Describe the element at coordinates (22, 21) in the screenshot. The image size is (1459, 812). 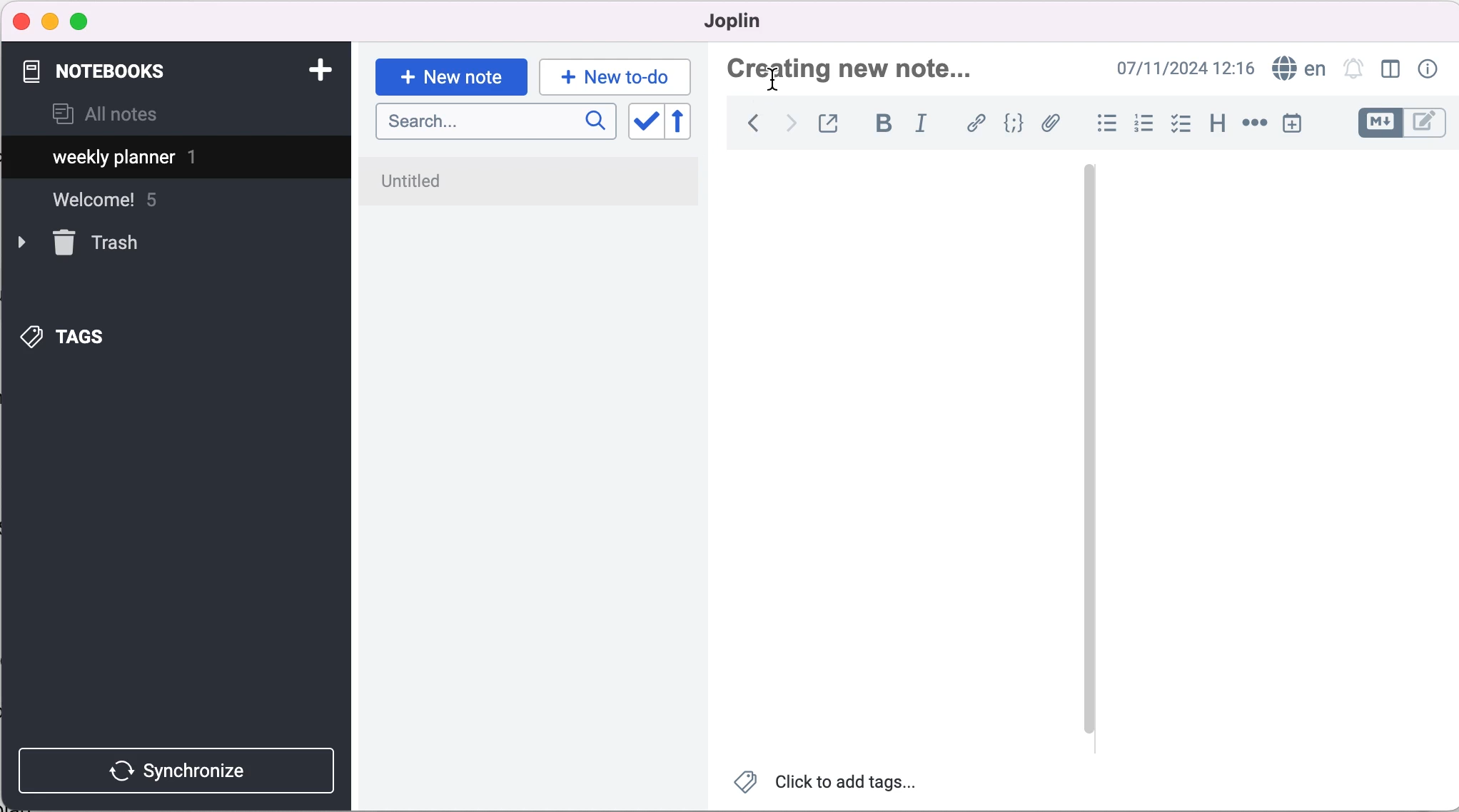
I see `close` at that location.